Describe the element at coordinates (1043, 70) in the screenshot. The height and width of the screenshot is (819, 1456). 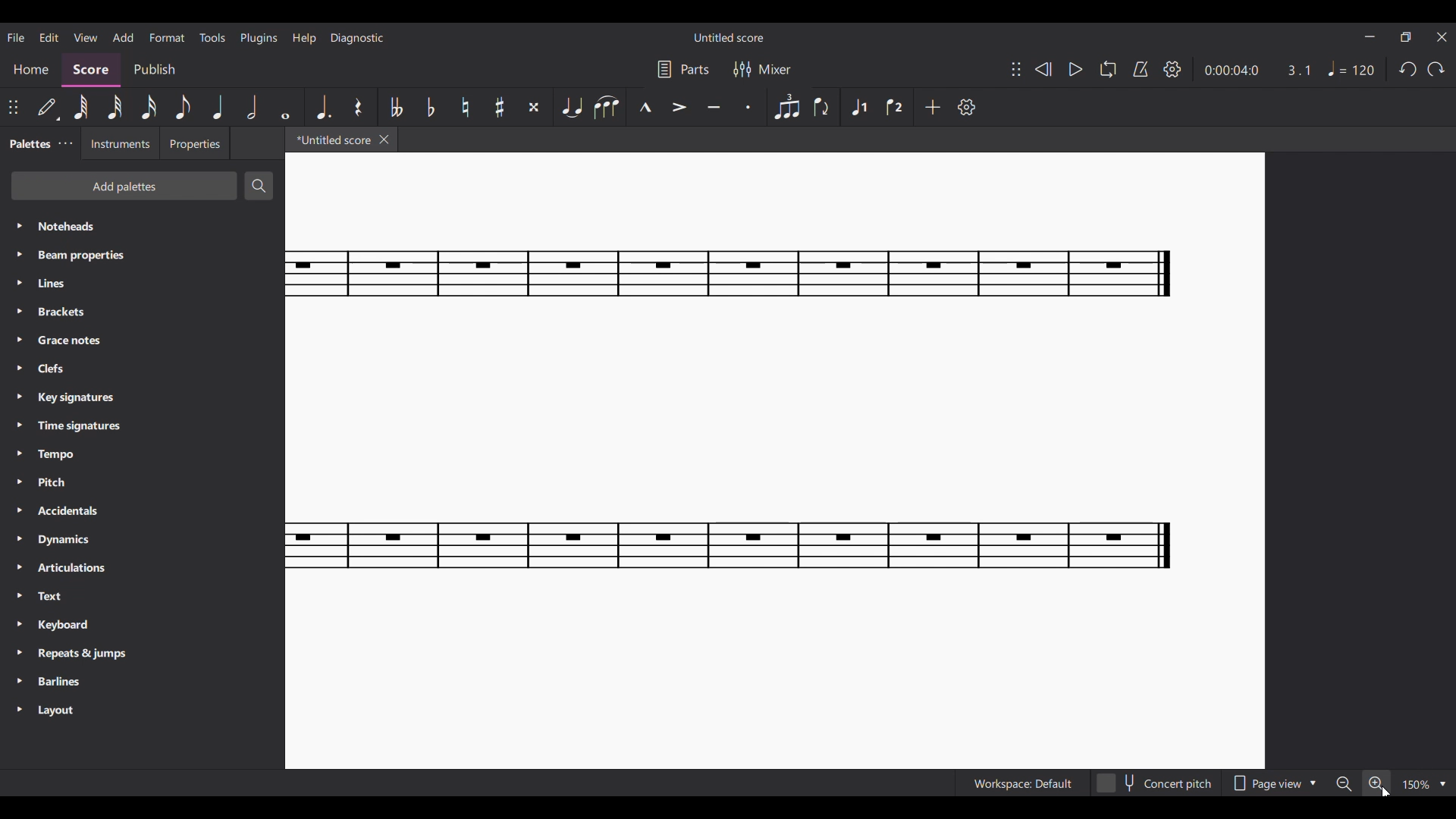
I see `Rewind` at that location.